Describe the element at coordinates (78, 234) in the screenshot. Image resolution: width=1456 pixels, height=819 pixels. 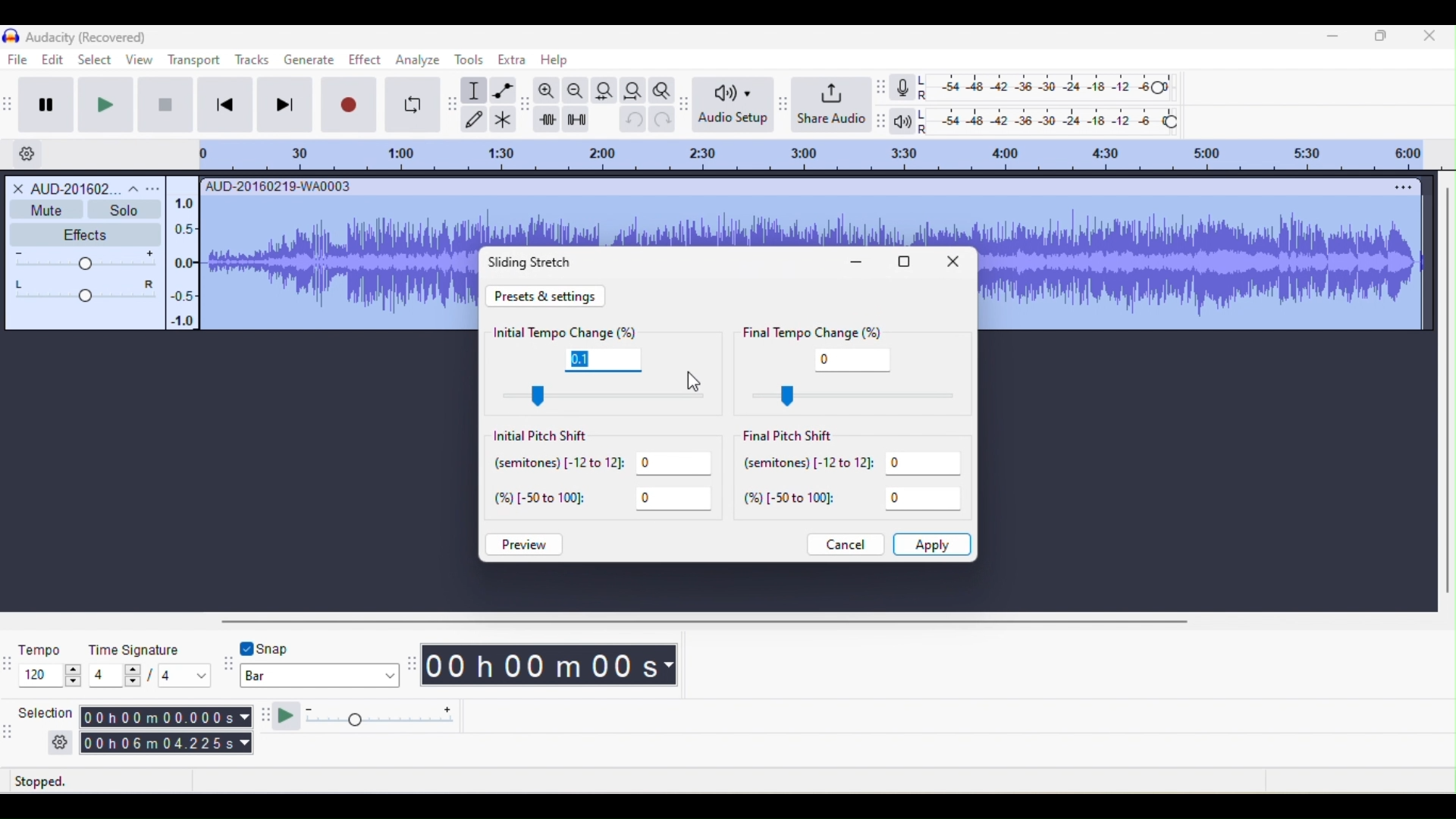
I see `Effects` at that location.